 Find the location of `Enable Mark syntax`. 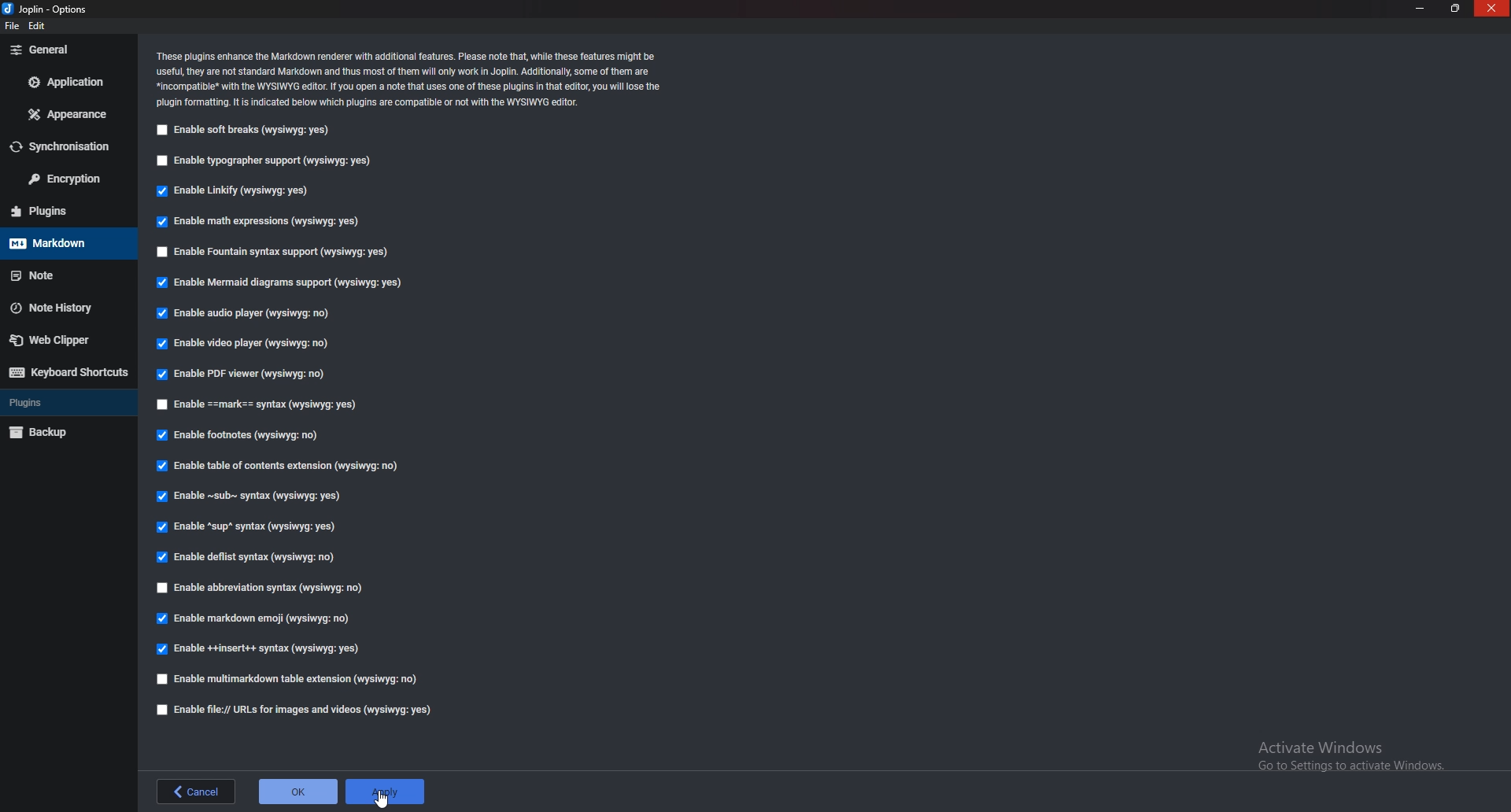

Enable Mark syntax is located at coordinates (279, 404).